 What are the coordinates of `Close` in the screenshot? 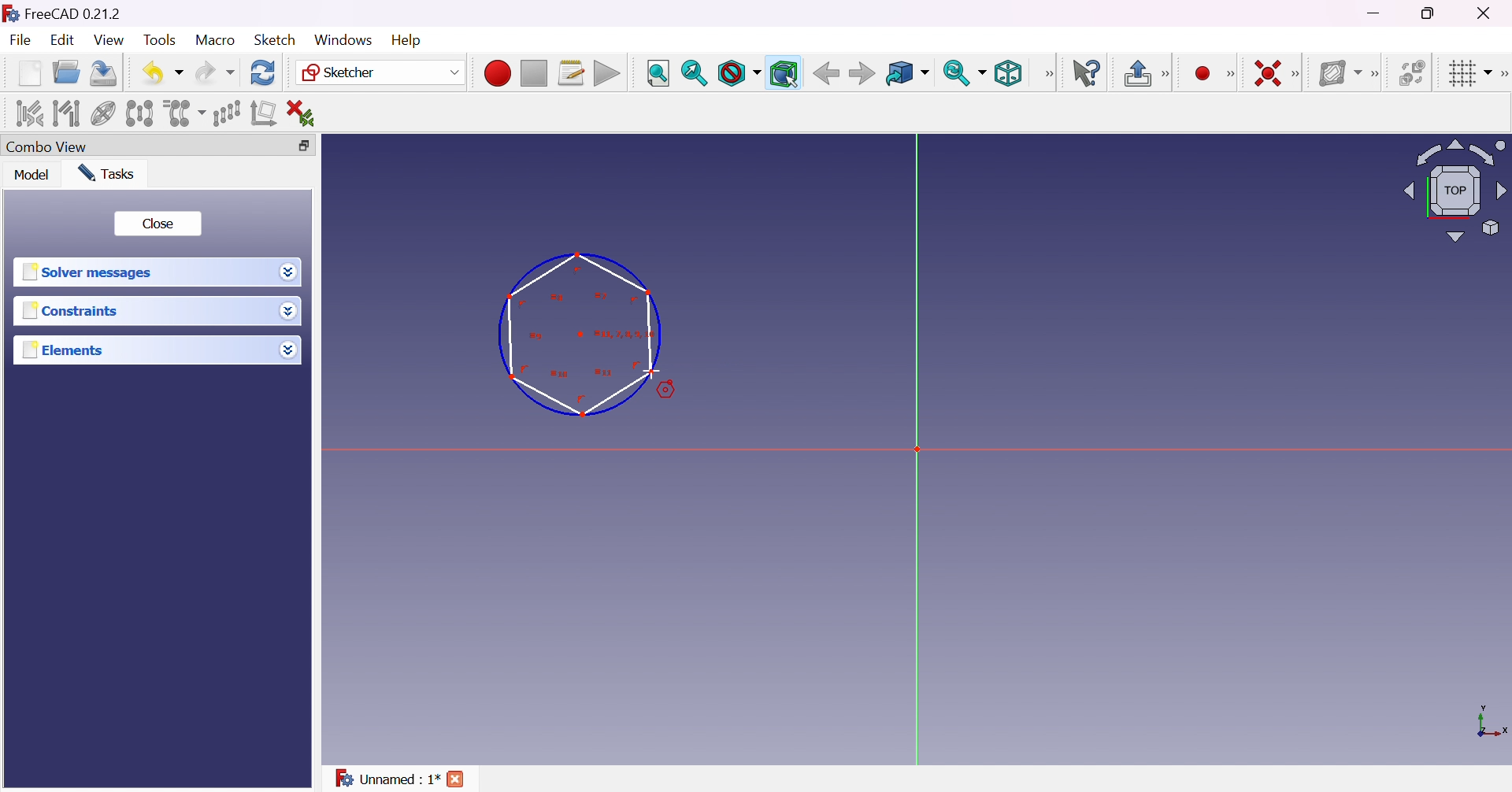 It's located at (1488, 13).